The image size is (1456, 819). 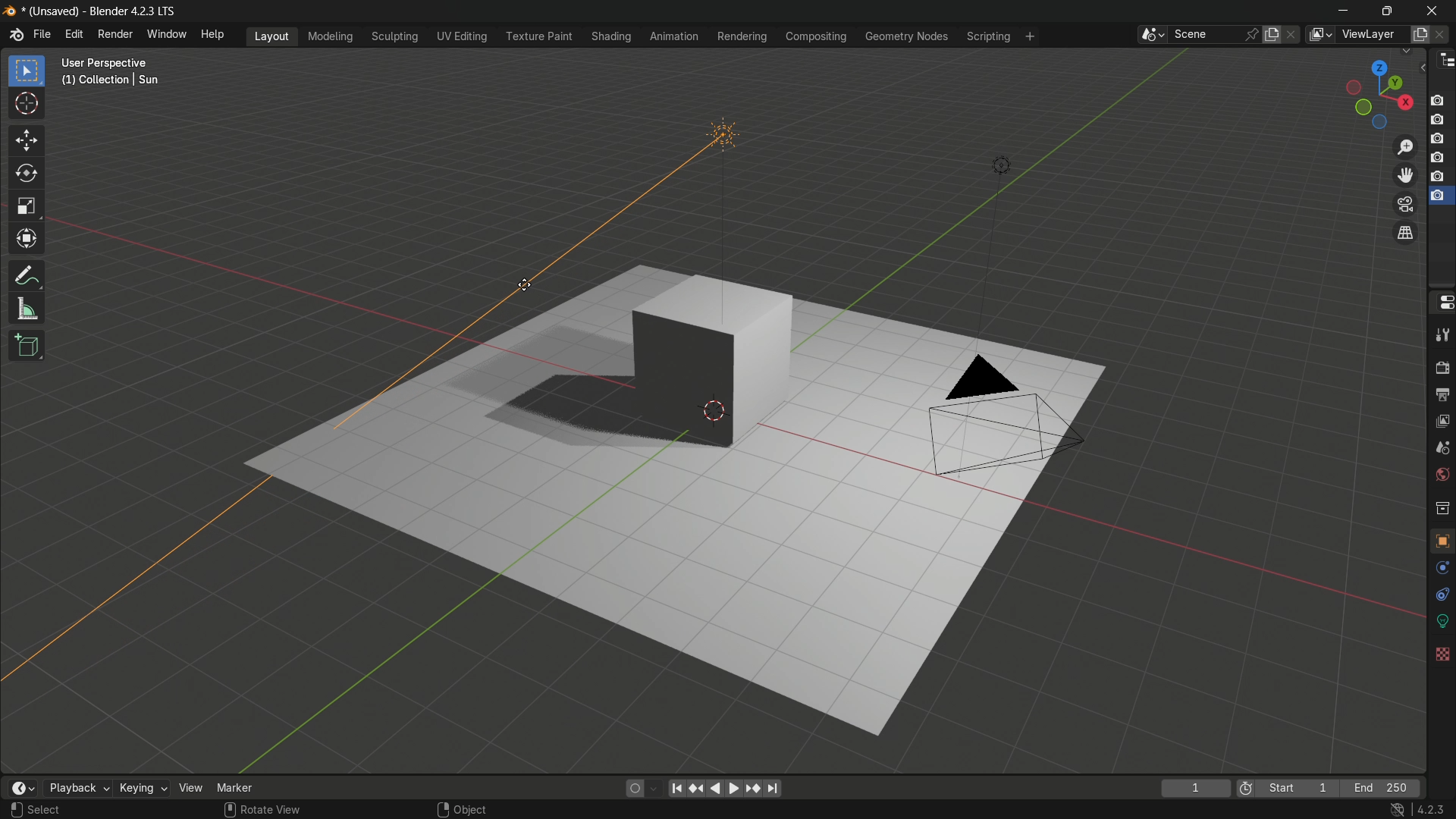 What do you see at coordinates (773, 790) in the screenshot?
I see `jump to endpoint` at bounding box center [773, 790].